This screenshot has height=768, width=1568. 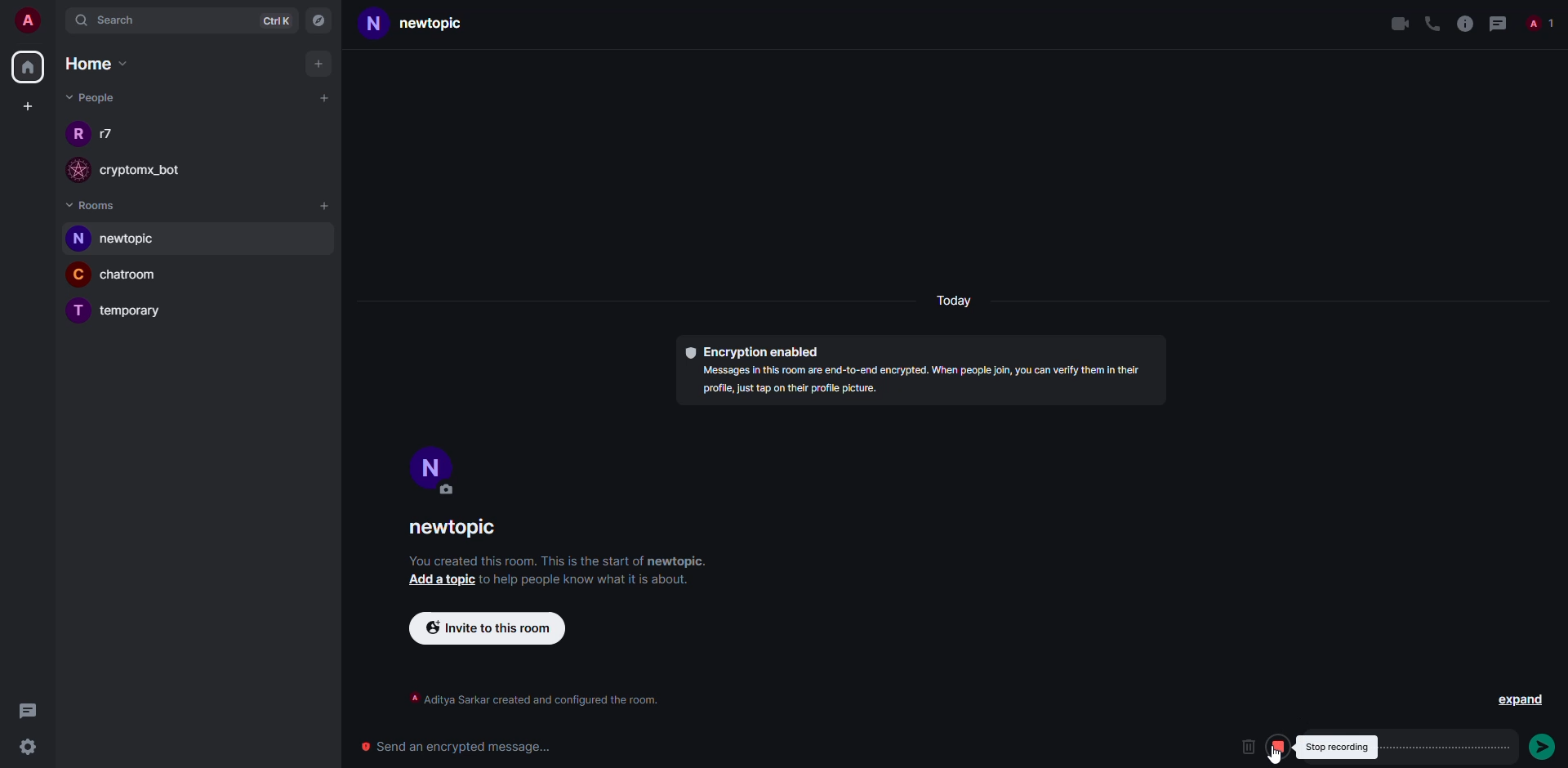 What do you see at coordinates (153, 170) in the screenshot?
I see `bot` at bounding box center [153, 170].